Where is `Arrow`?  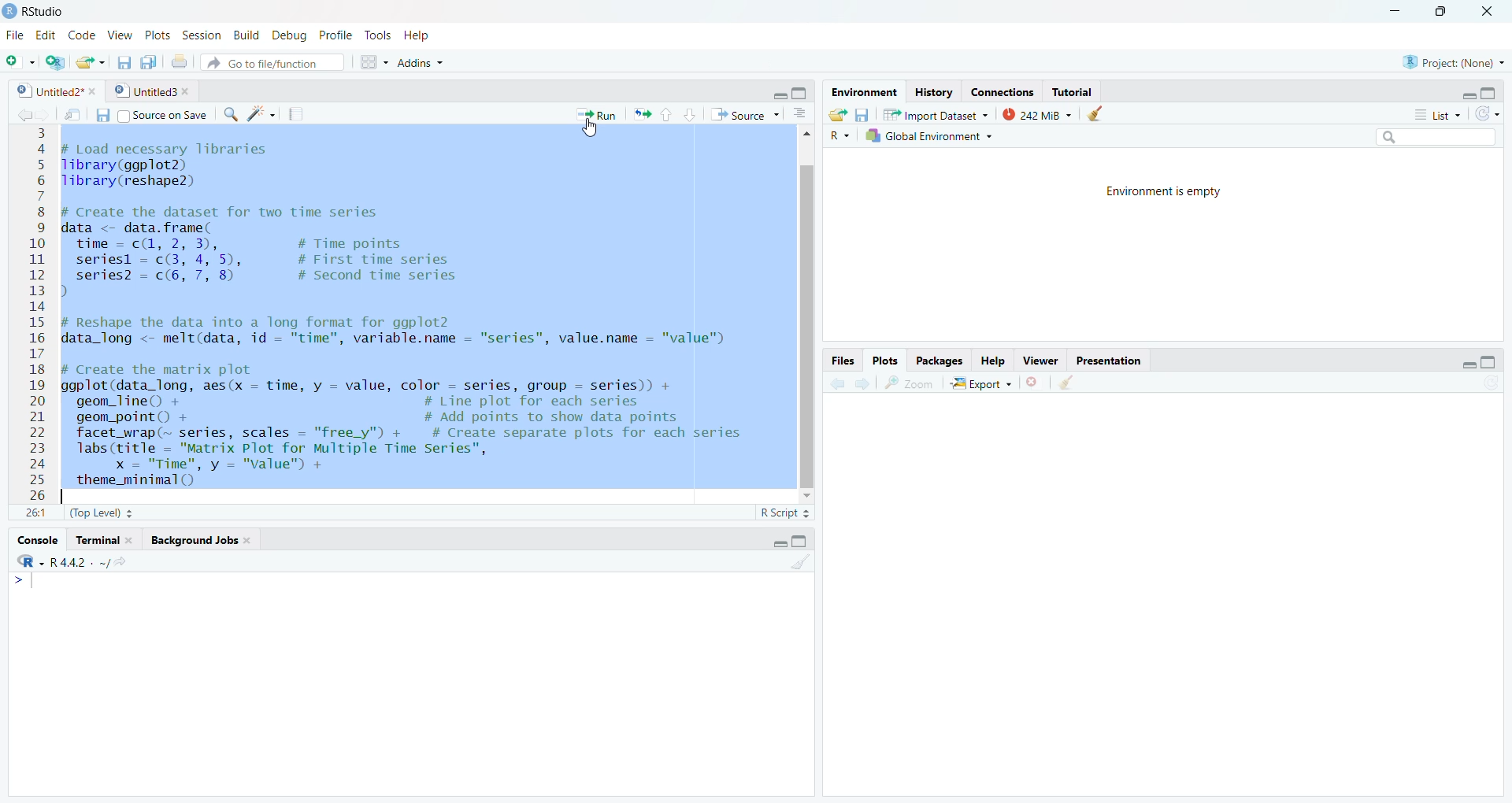
Arrow is located at coordinates (20, 581).